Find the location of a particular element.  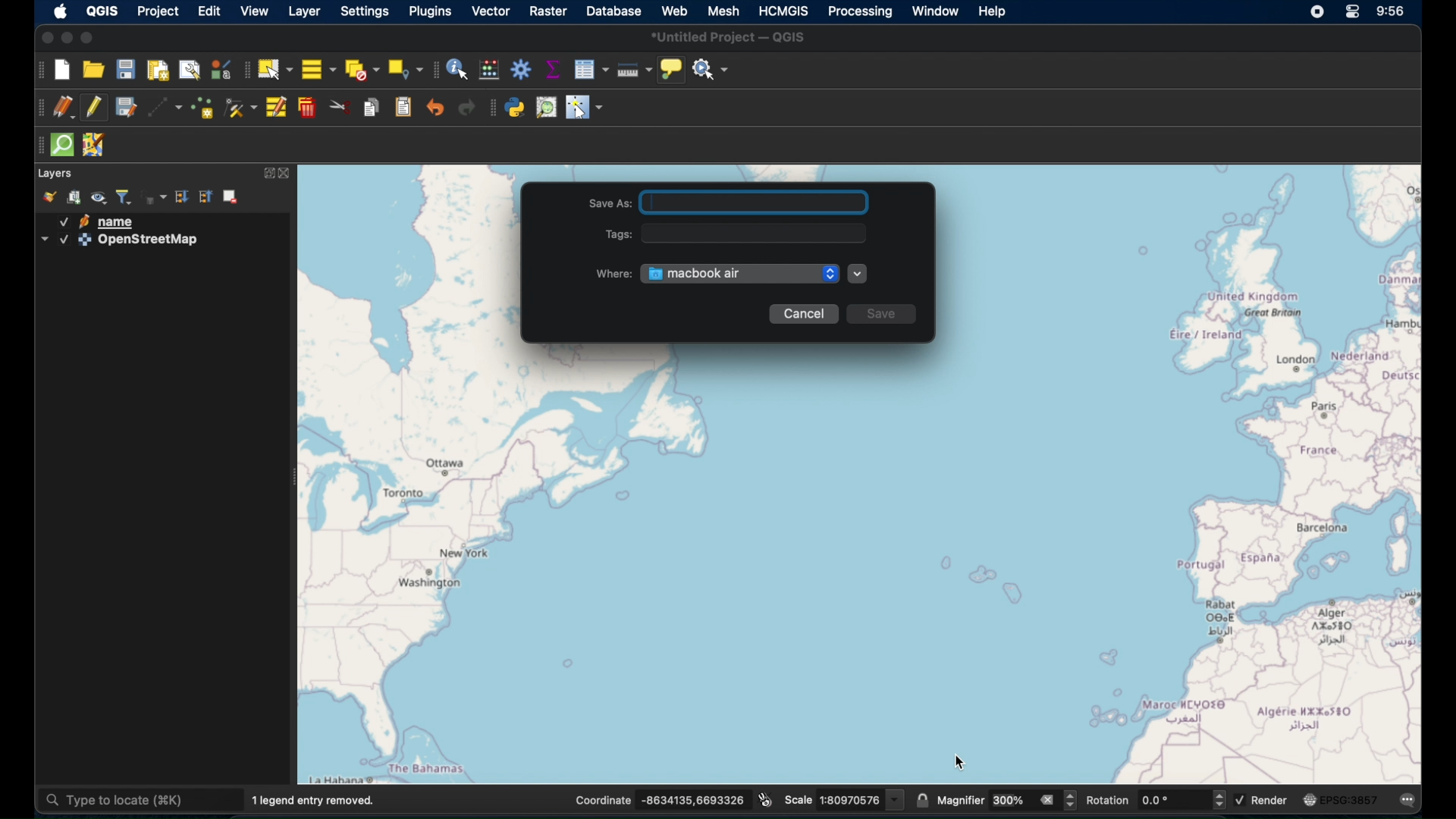

Macbook air is located at coordinates (741, 272).